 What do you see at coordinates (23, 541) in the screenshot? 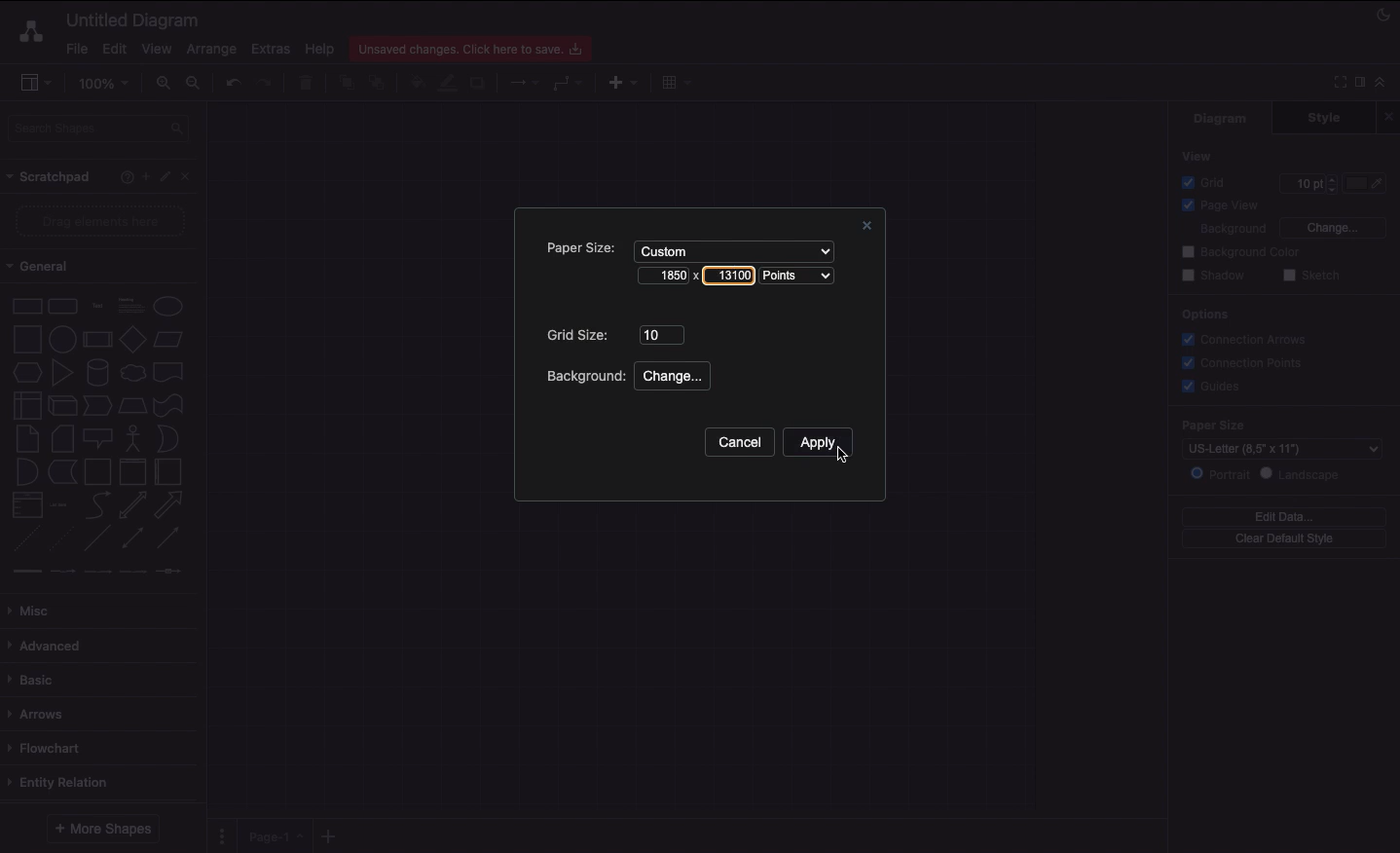
I see `Dashed line` at bounding box center [23, 541].